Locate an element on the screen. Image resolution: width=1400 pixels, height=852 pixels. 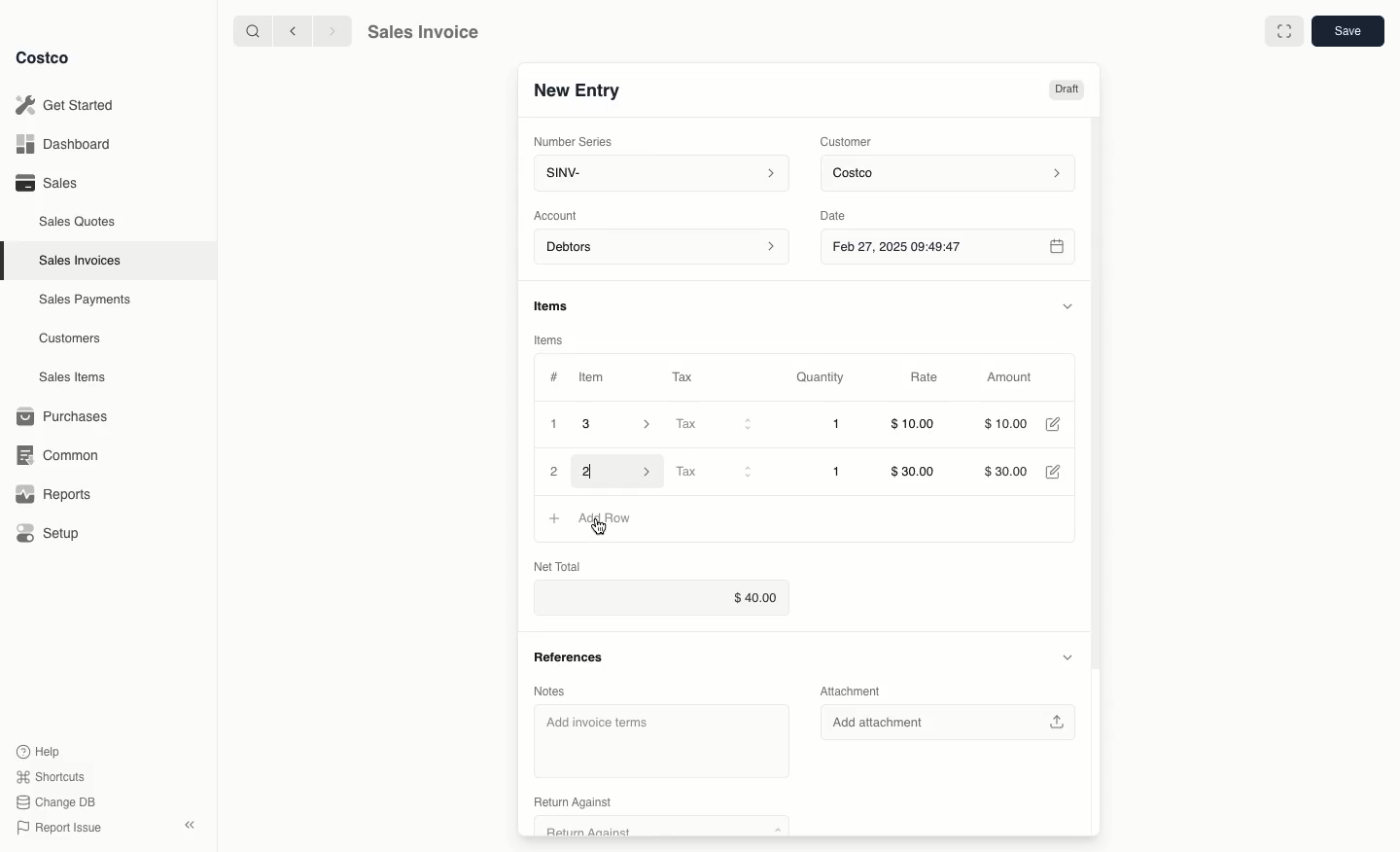
Sales is located at coordinates (45, 182).